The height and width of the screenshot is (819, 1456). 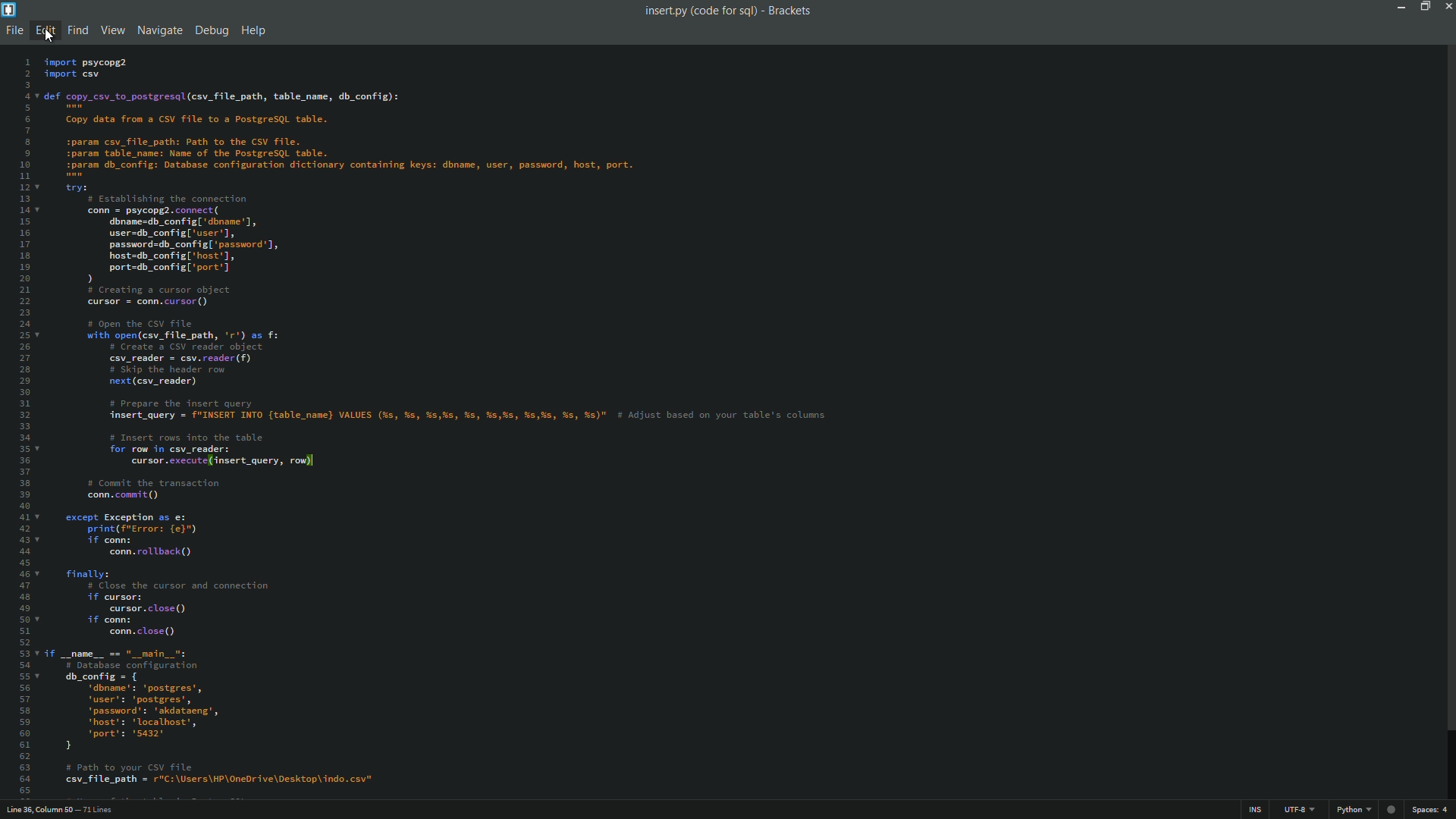 What do you see at coordinates (101, 811) in the screenshot?
I see `number of lines` at bounding box center [101, 811].